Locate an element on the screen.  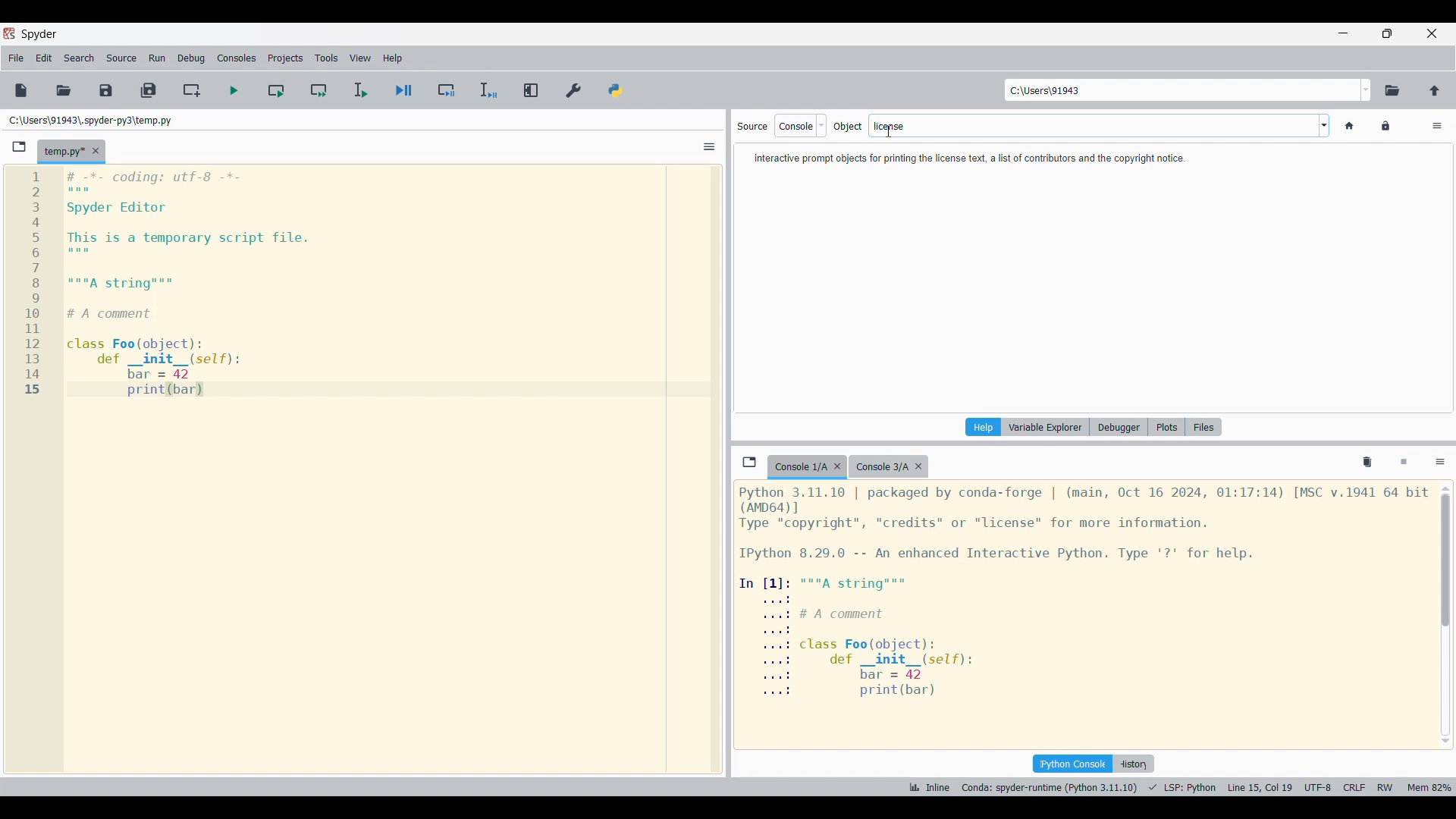
Run current cell is located at coordinates (277, 90).